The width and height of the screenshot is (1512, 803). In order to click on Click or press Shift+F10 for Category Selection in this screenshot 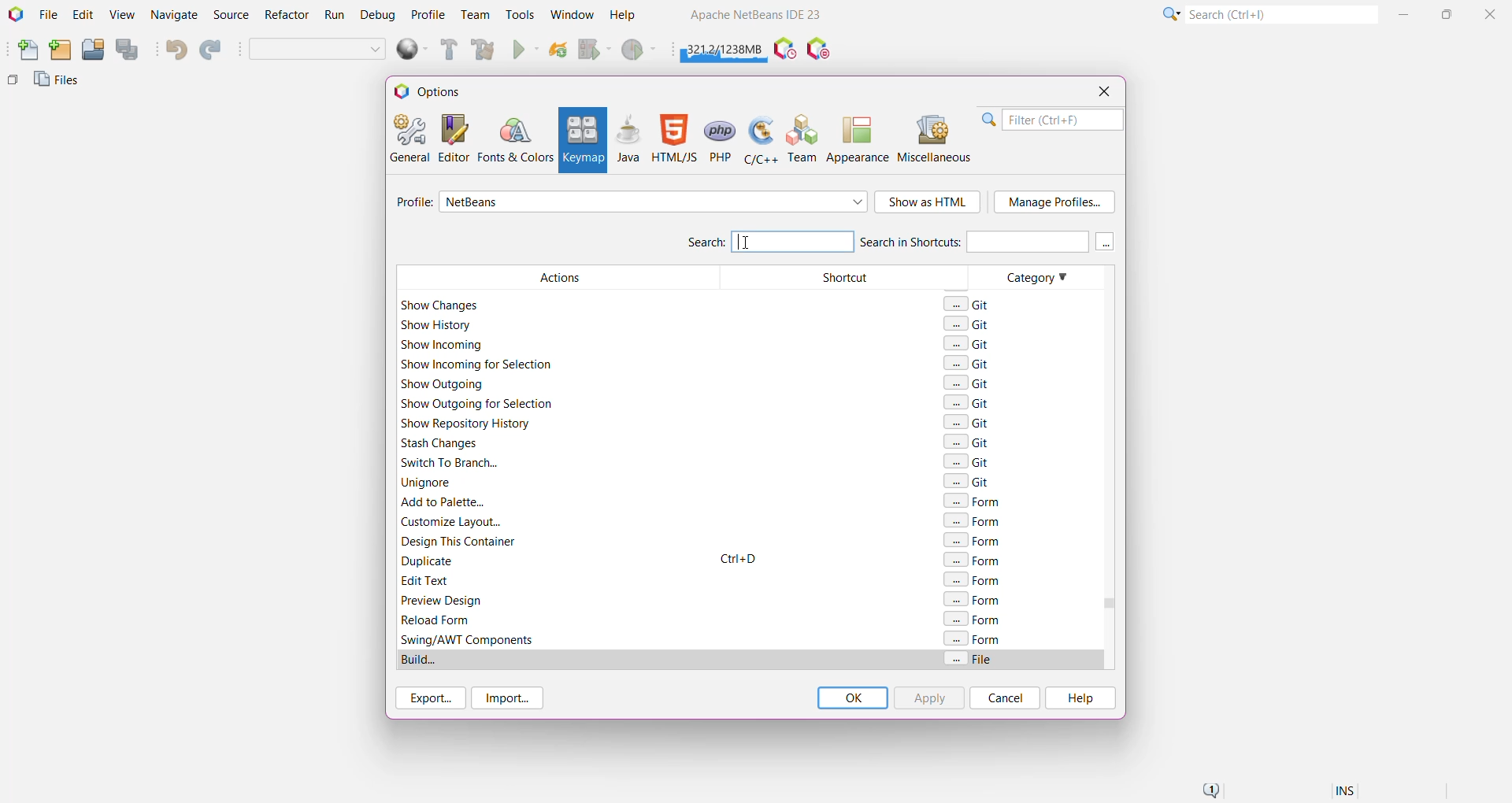, I will do `click(1169, 13)`.